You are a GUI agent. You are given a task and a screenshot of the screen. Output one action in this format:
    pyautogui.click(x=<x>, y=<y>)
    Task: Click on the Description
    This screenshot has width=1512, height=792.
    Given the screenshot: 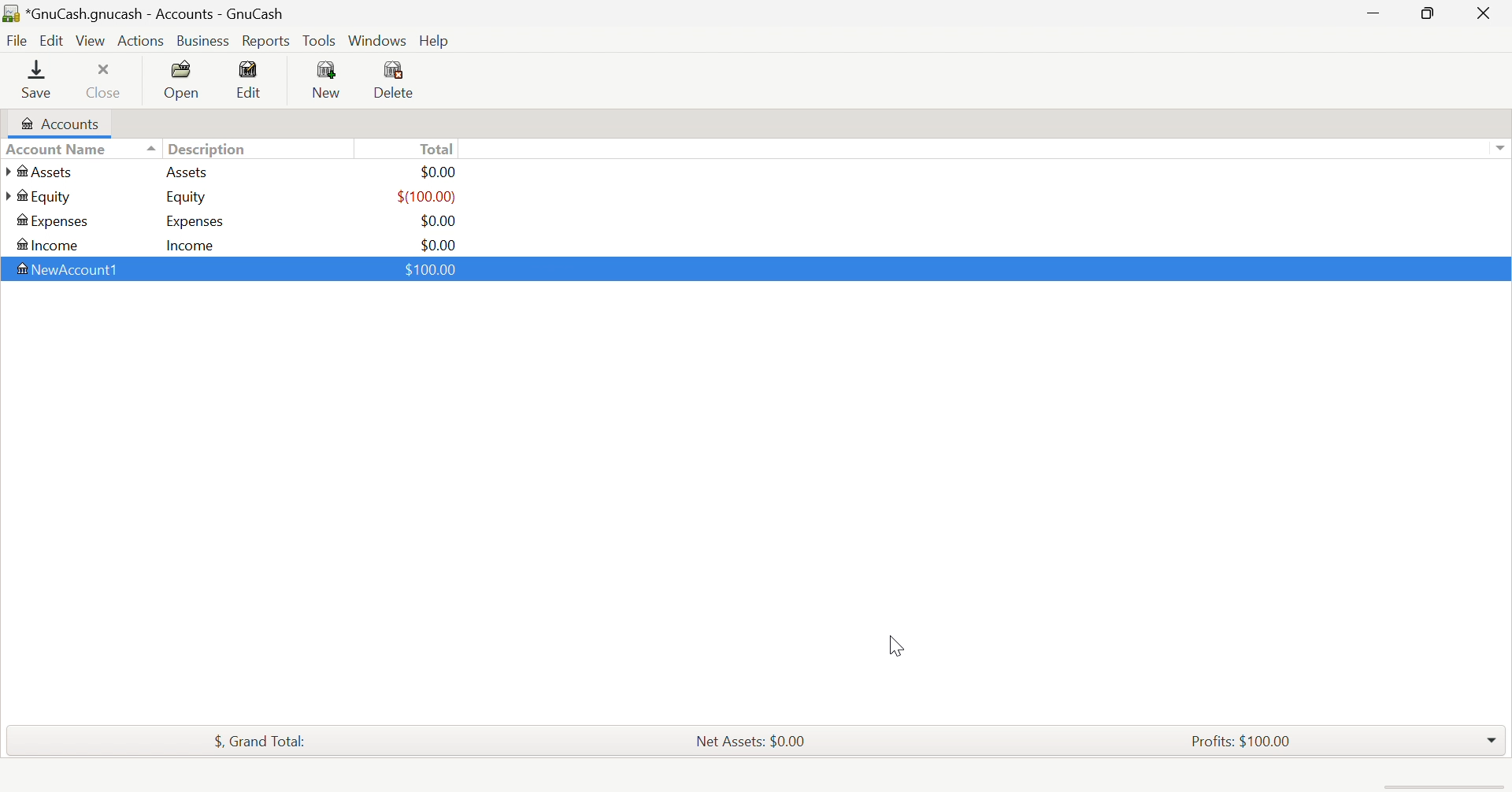 What is the action you would take?
    pyautogui.click(x=207, y=147)
    